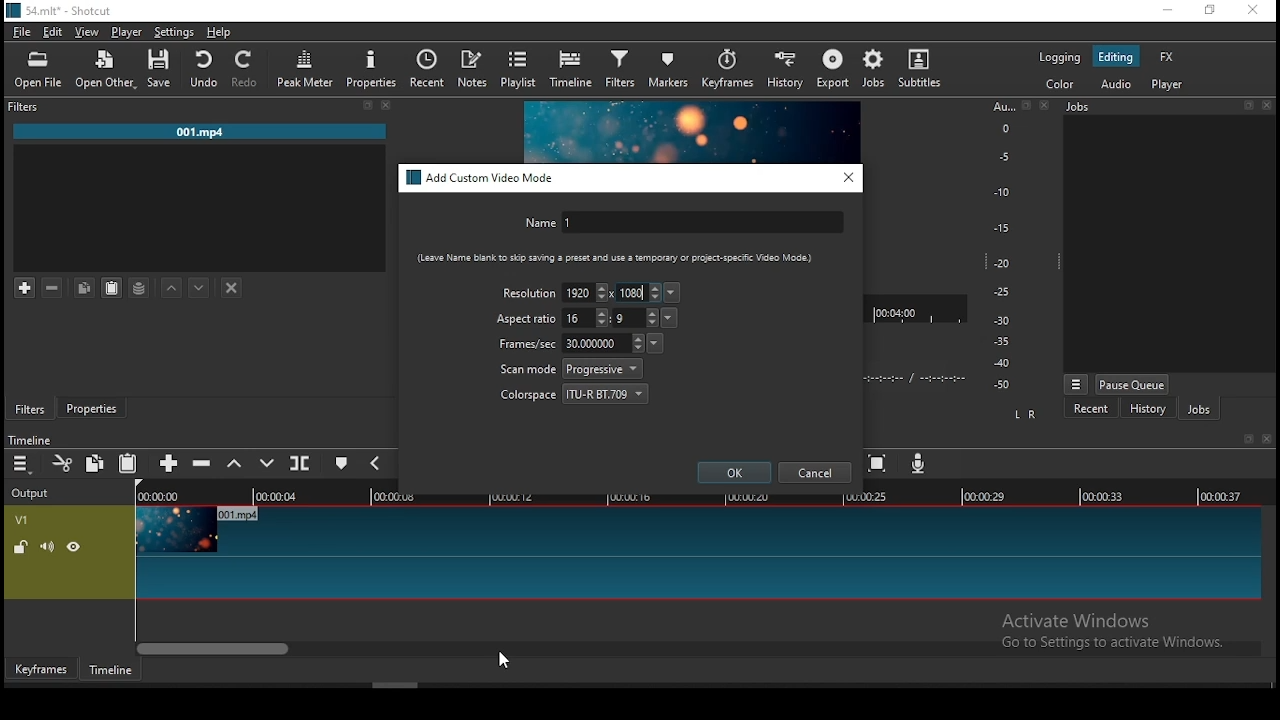  What do you see at coordinates (90, 405) in the screenshot?
I see `properties` at bounding box center [90, 405].